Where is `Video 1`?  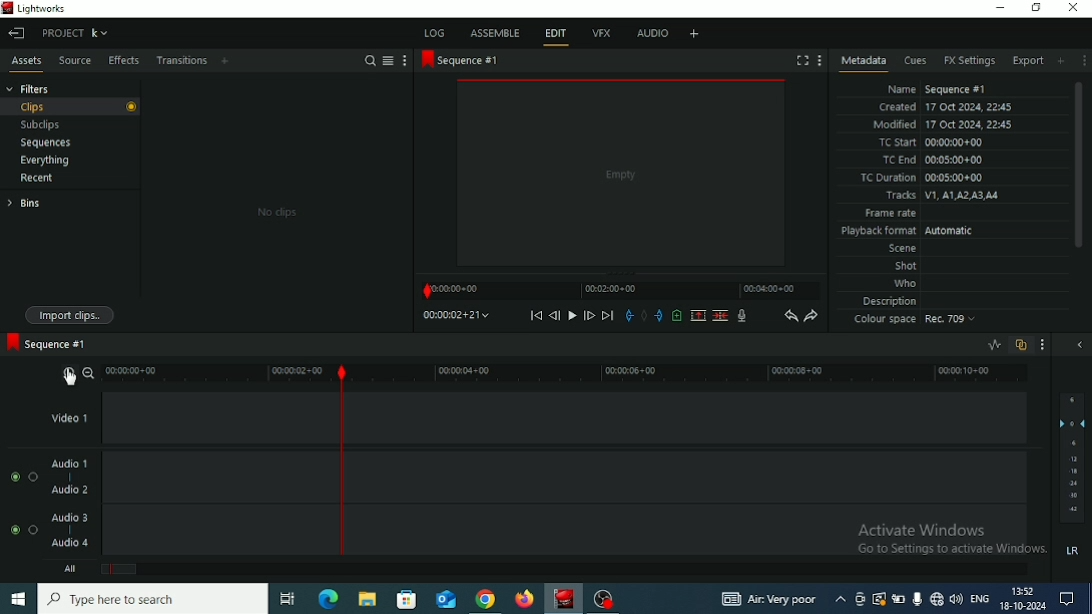 Video 1 is located at coordinates (75, 420).